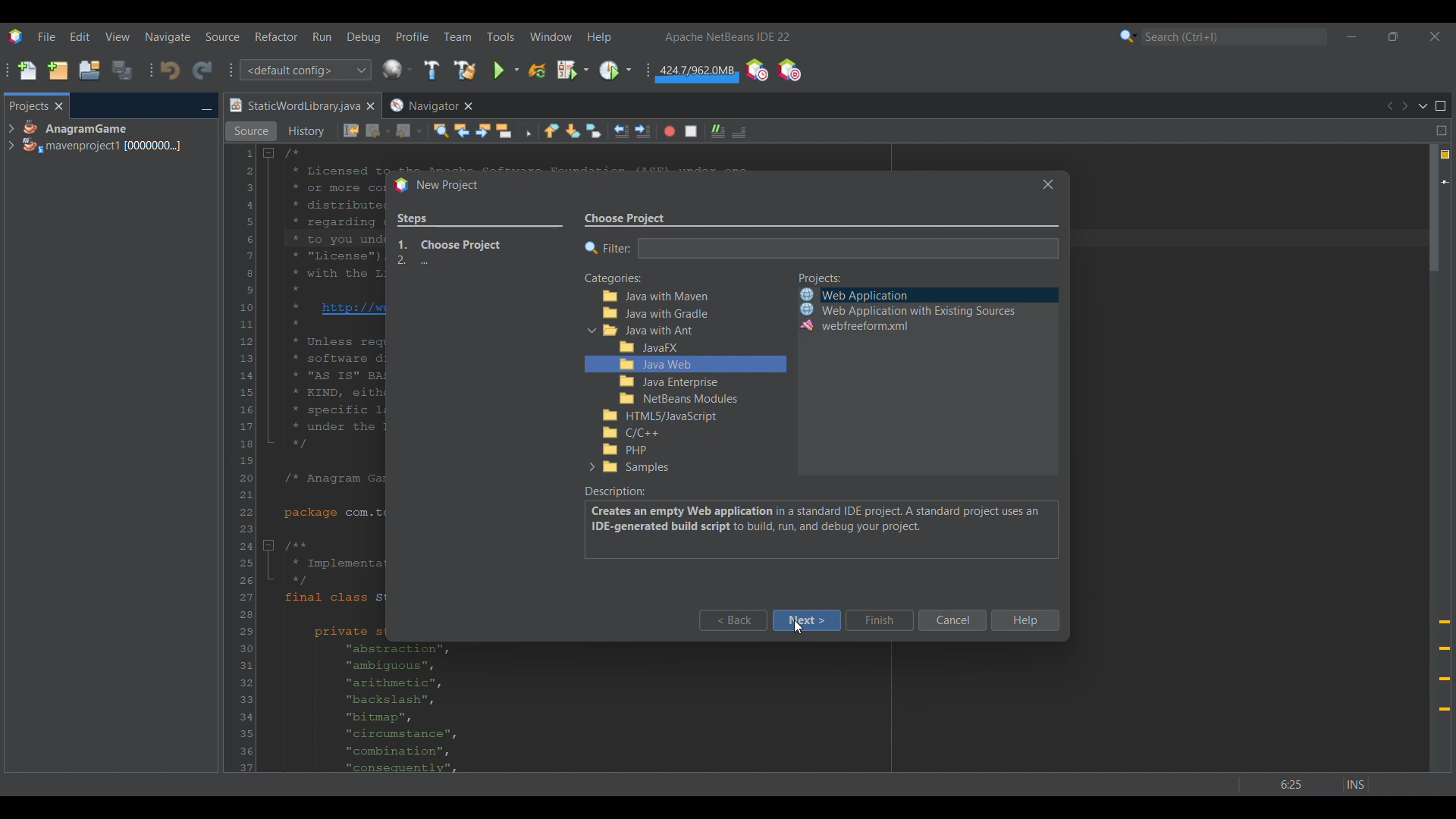 Image resolution: width=1456 pixels, height=819 pixels. What do you see at coordinates (1434, 458) in the screenshot?
I see `Vertical slide bar` at bounding box center [1434, 458].